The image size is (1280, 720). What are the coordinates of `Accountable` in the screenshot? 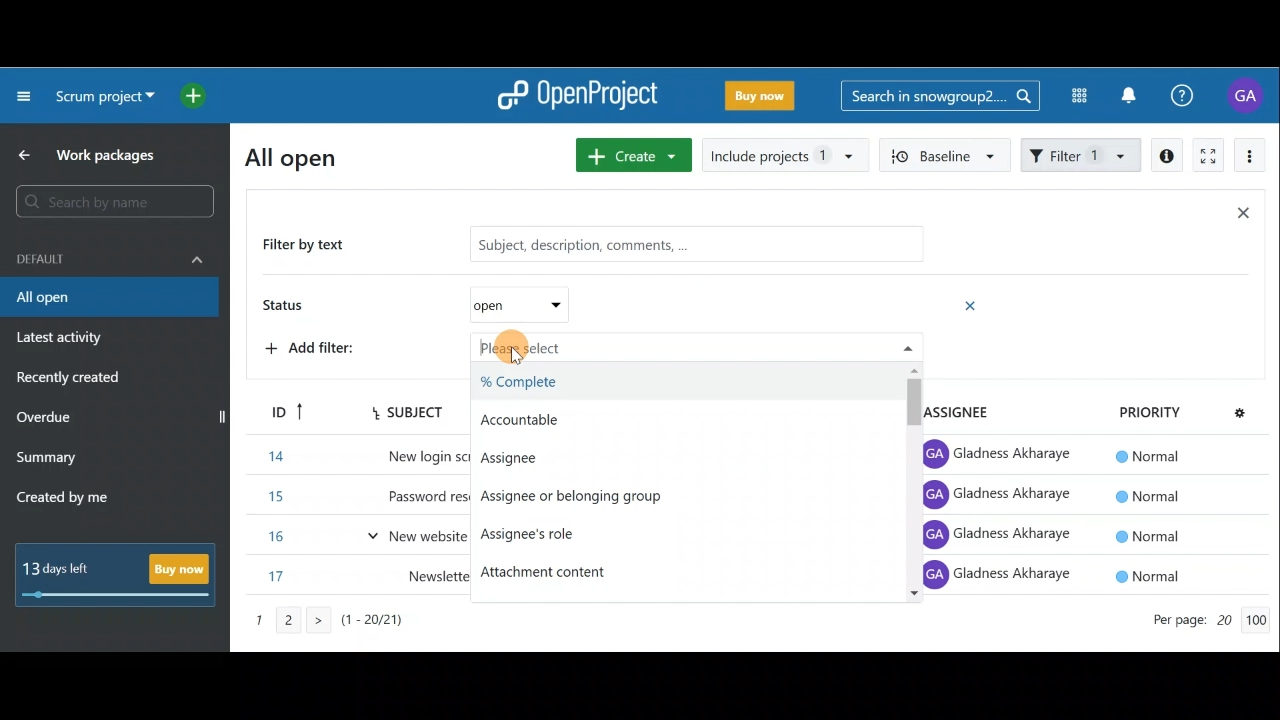 It's located at (686, 419).